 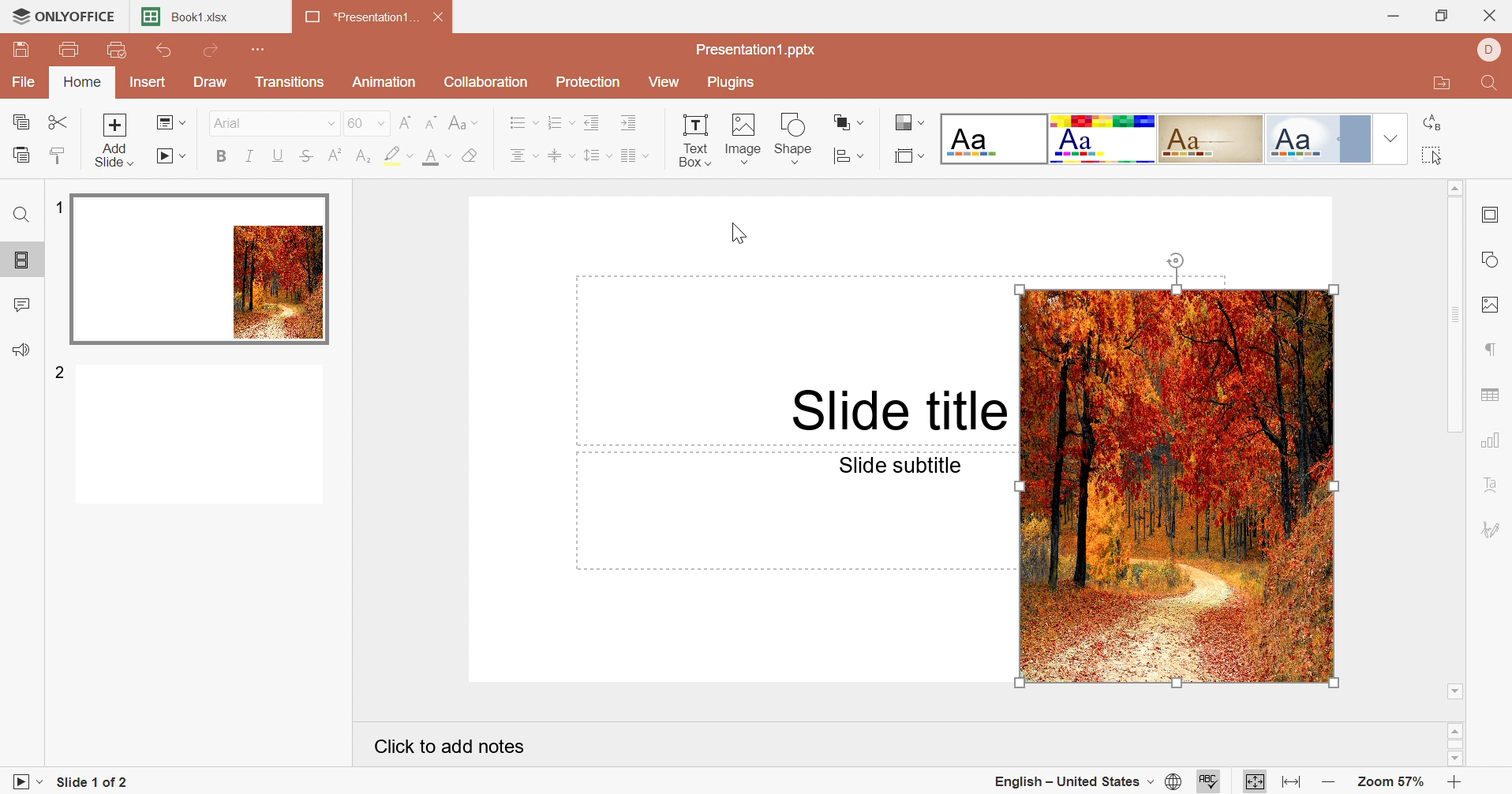 I want to click on ONLYOFFICE, so click(x=65, y=15).